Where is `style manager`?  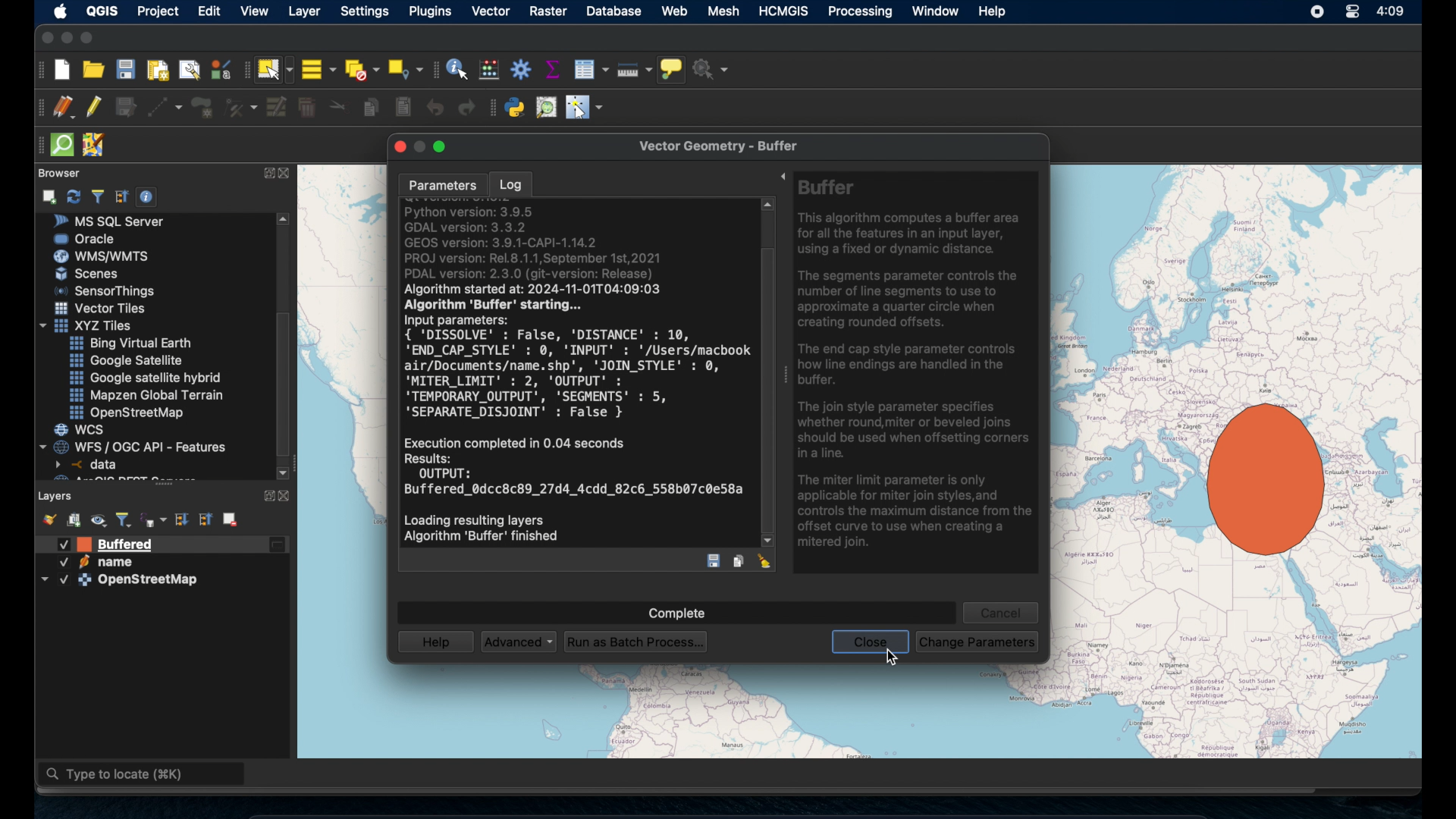
style manager is located at coordinates (220, 69).